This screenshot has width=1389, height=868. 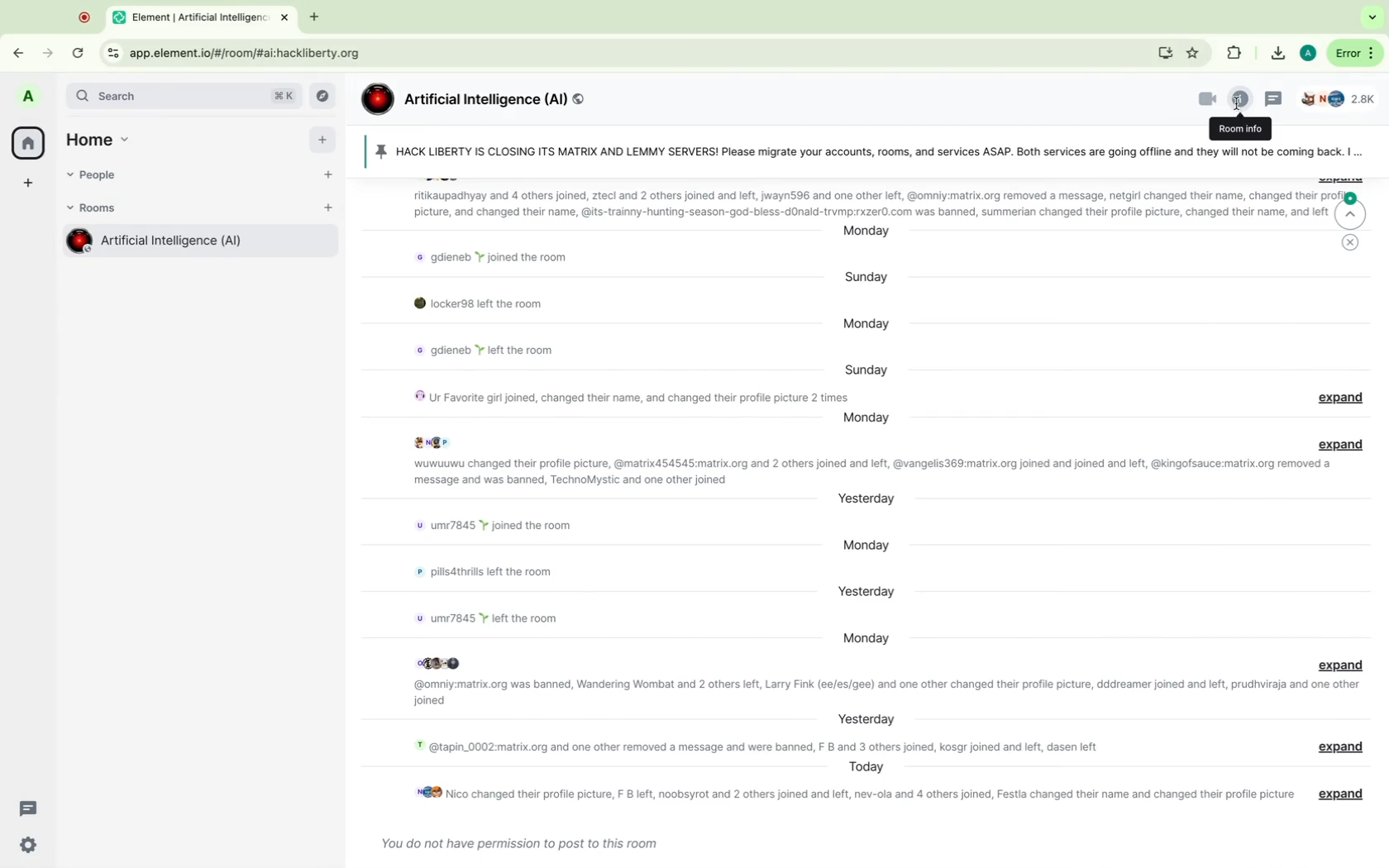 What do you see at coordinates (480, 615) in the screenshot?
I see `message` at bounding box center [480, 615].